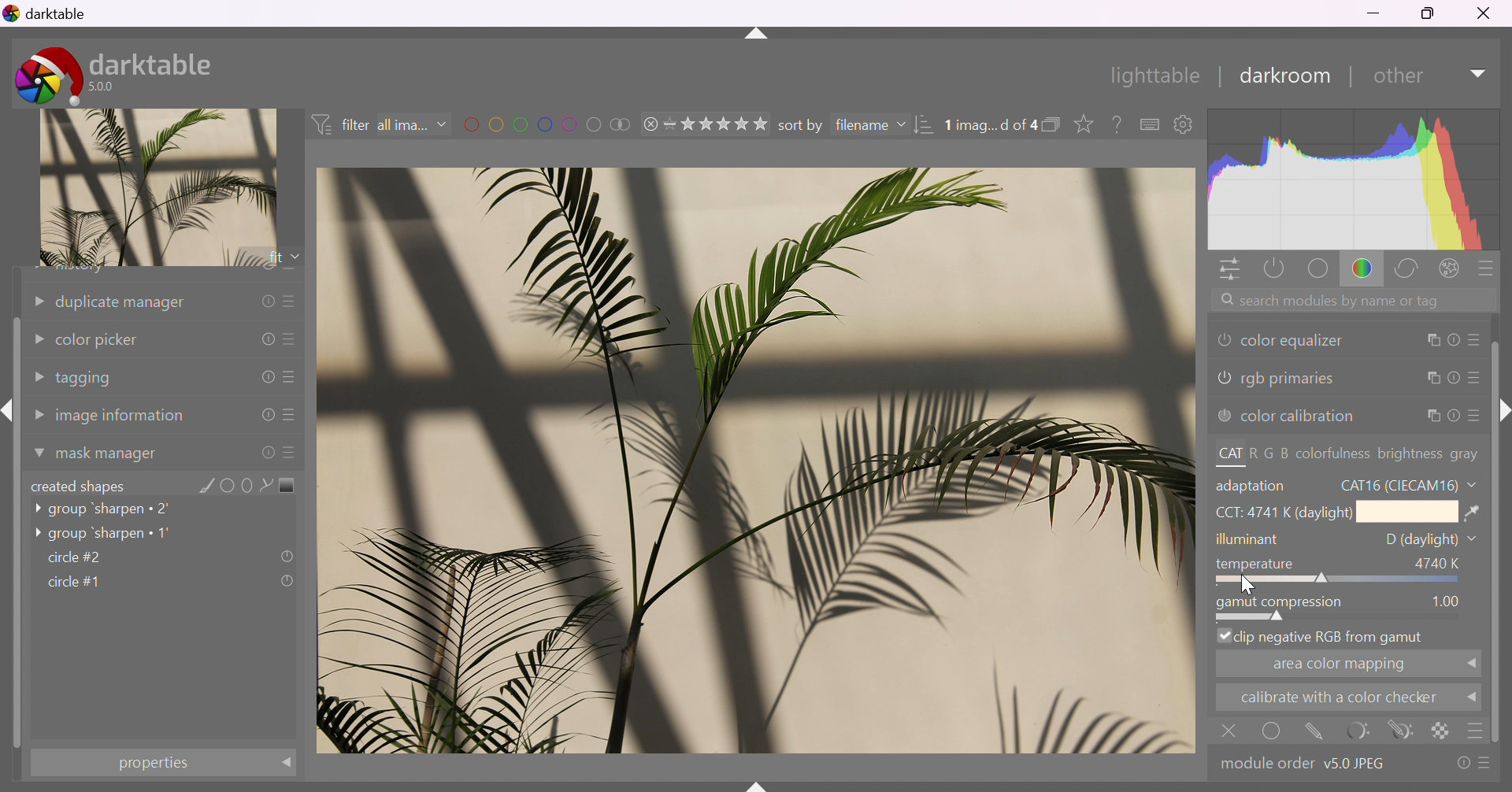 The height and width of the screenshot is (792, 1512). Describe the element at coordinates (228, 486) in the screenshot. I see `add circle` at that location.